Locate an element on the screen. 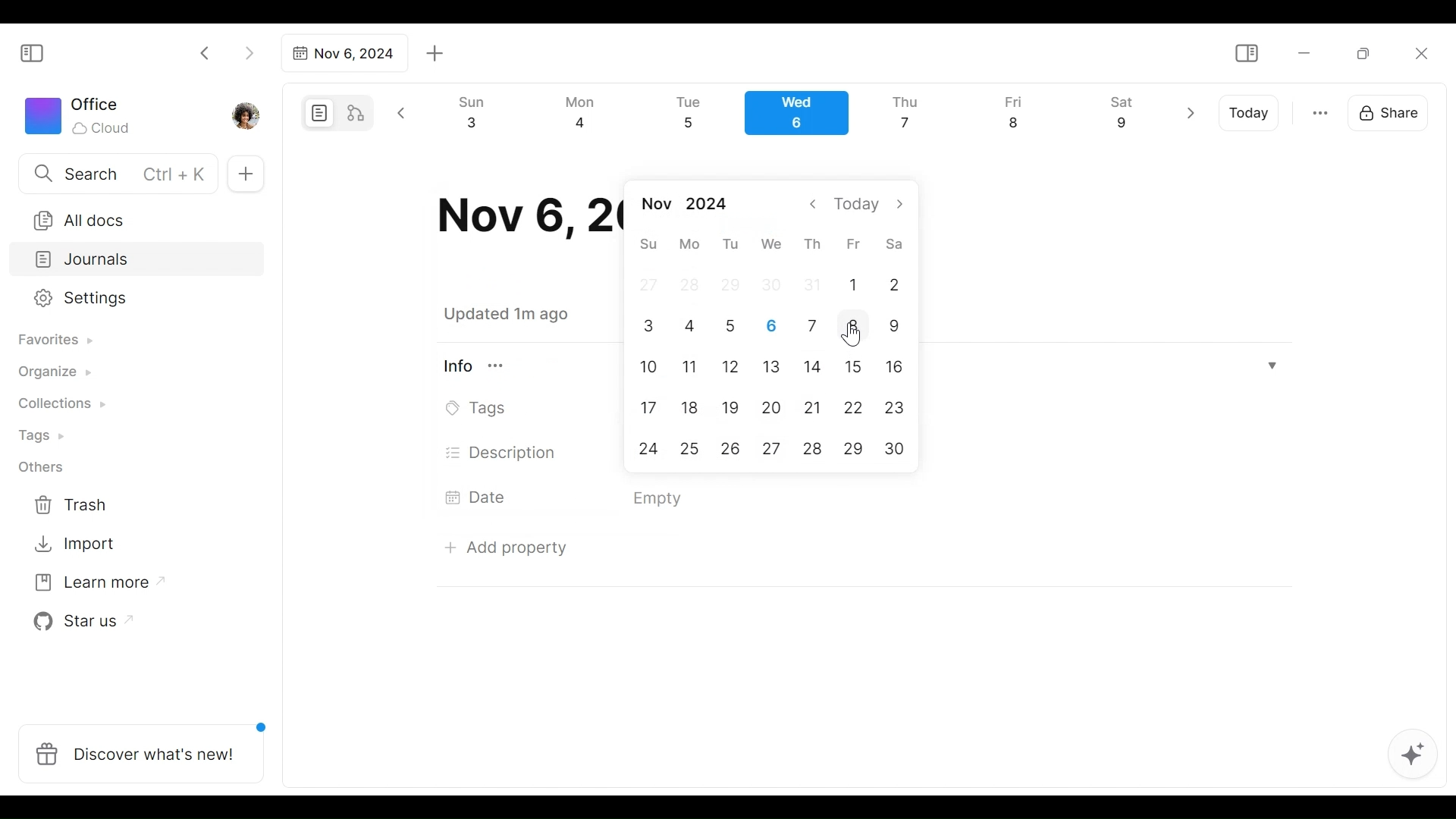 This screenshot has width=1456, height=819. Close is located at coordinates (1420, 53).